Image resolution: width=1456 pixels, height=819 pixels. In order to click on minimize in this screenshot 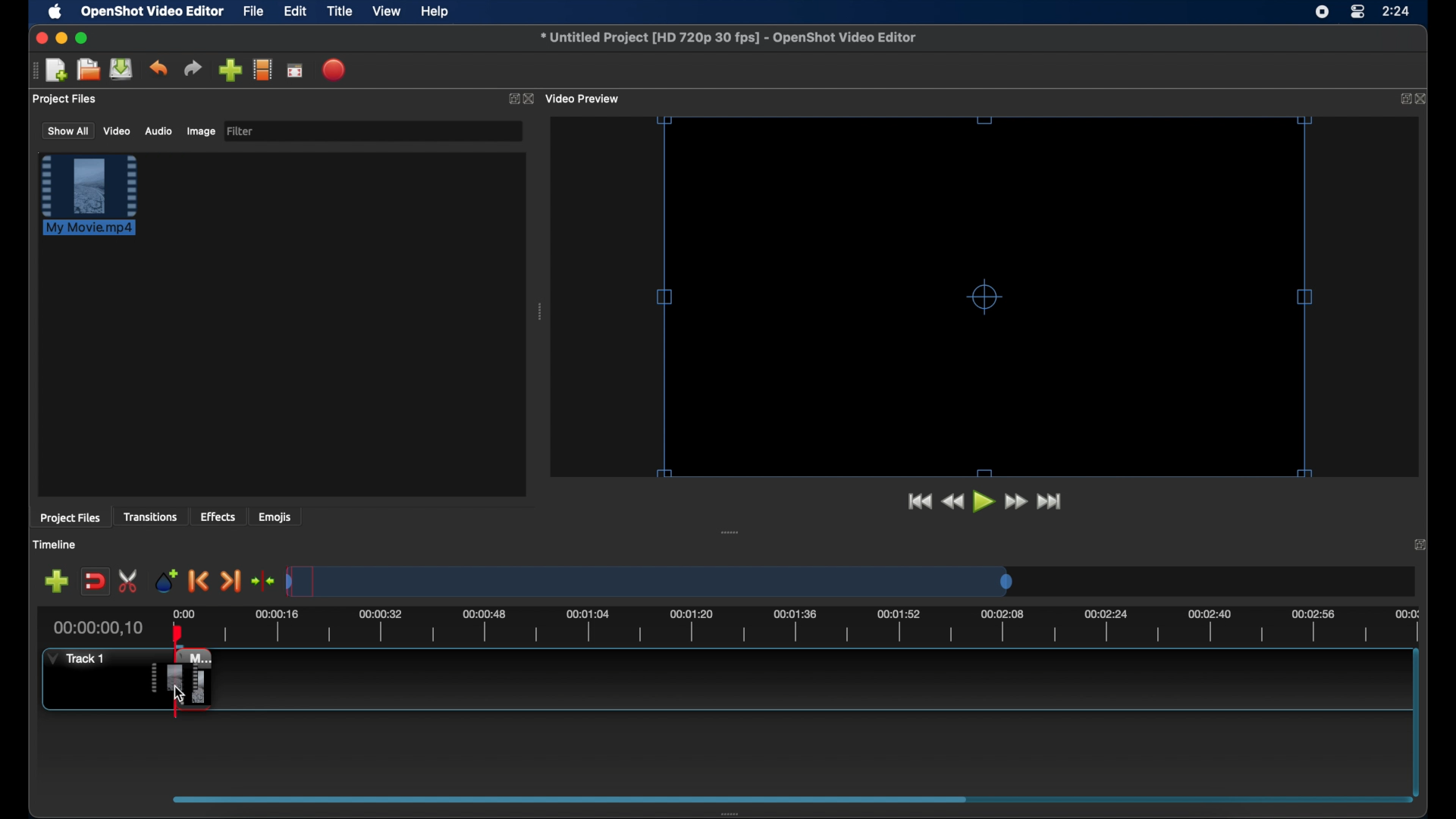, I will do `click(62, 37)`.